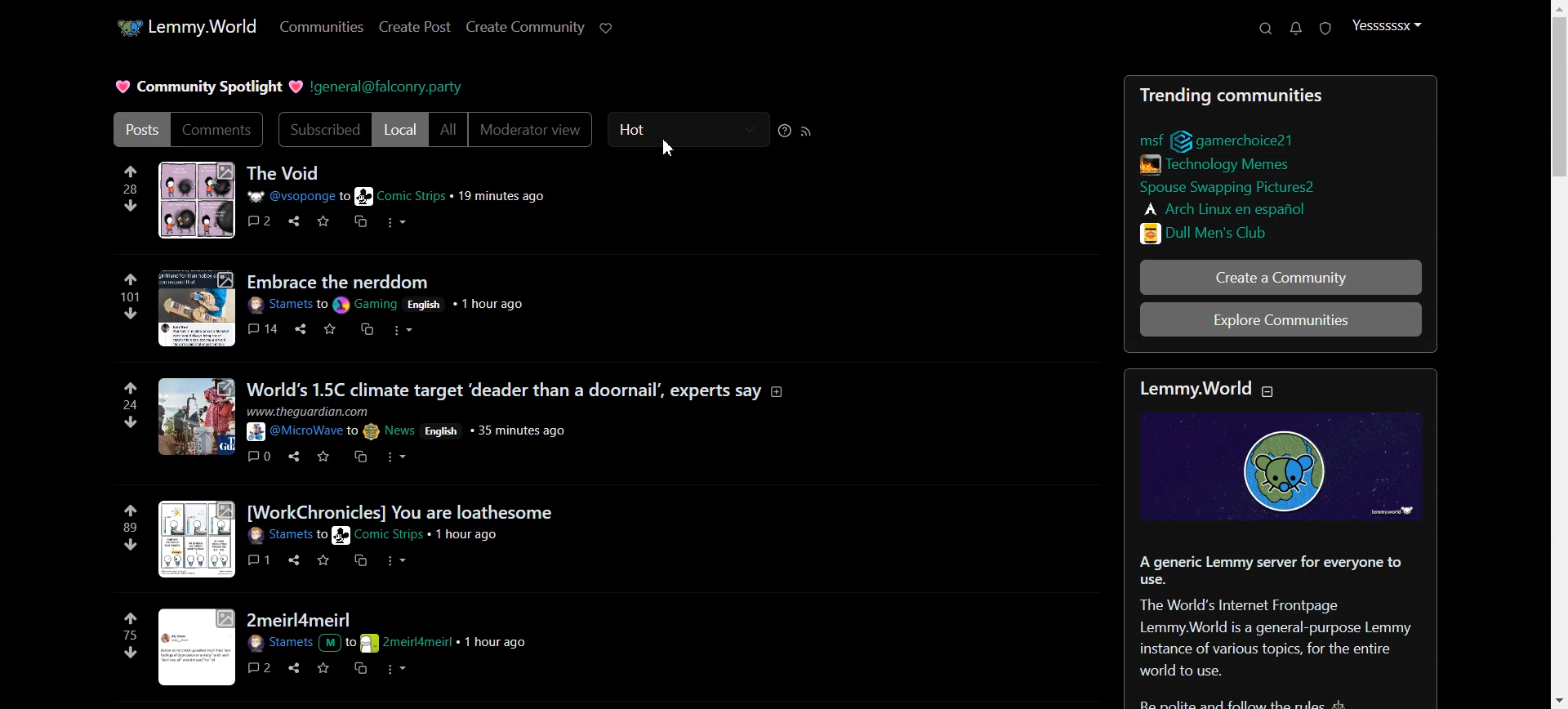 This screenshot has height=709, width=1568. Describe the element at coordinates (259, 667) in the screenshot. I see `` at that location.